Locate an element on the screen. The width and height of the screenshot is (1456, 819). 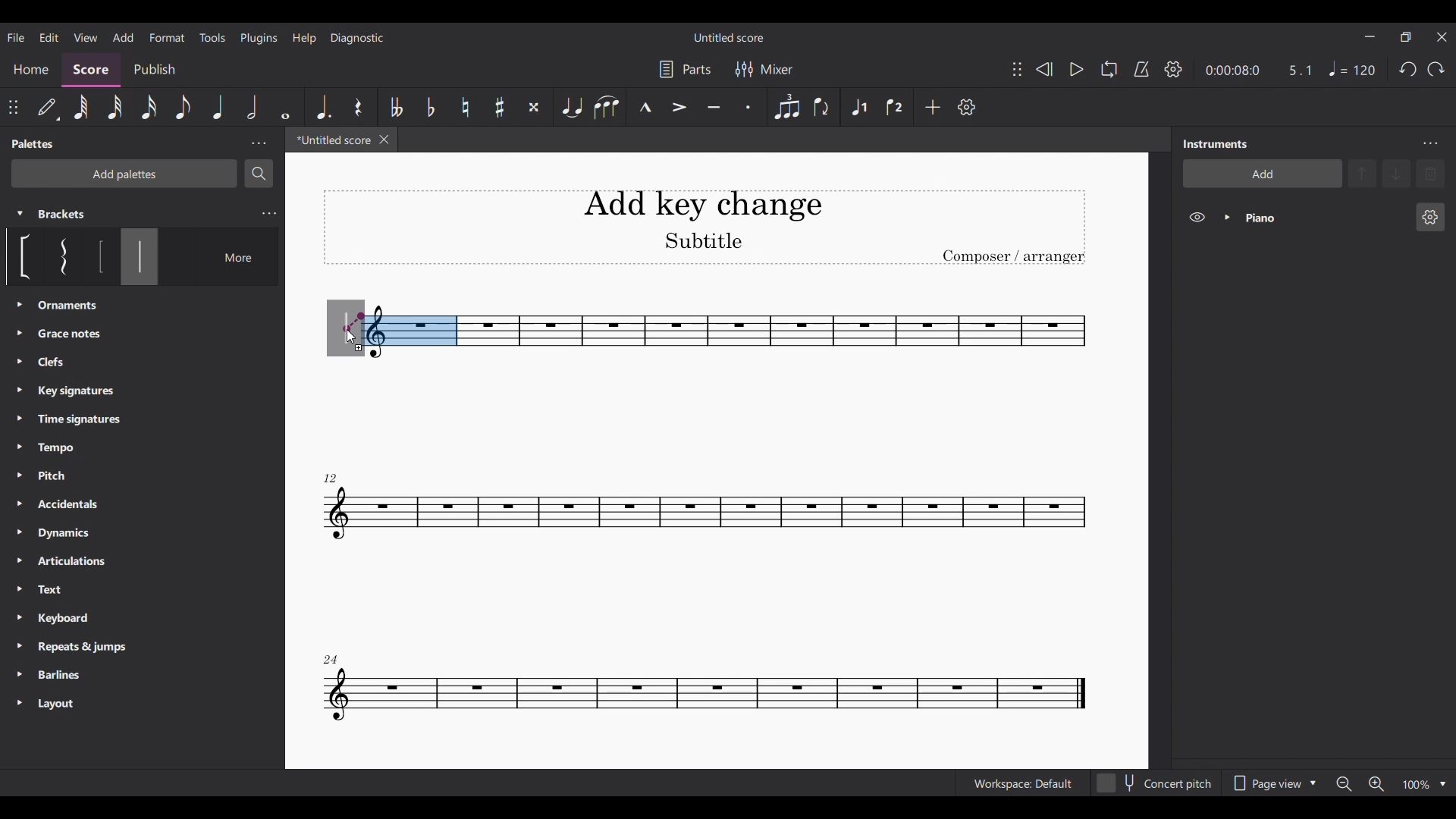
Move above is located at coordinates (1362, 174).